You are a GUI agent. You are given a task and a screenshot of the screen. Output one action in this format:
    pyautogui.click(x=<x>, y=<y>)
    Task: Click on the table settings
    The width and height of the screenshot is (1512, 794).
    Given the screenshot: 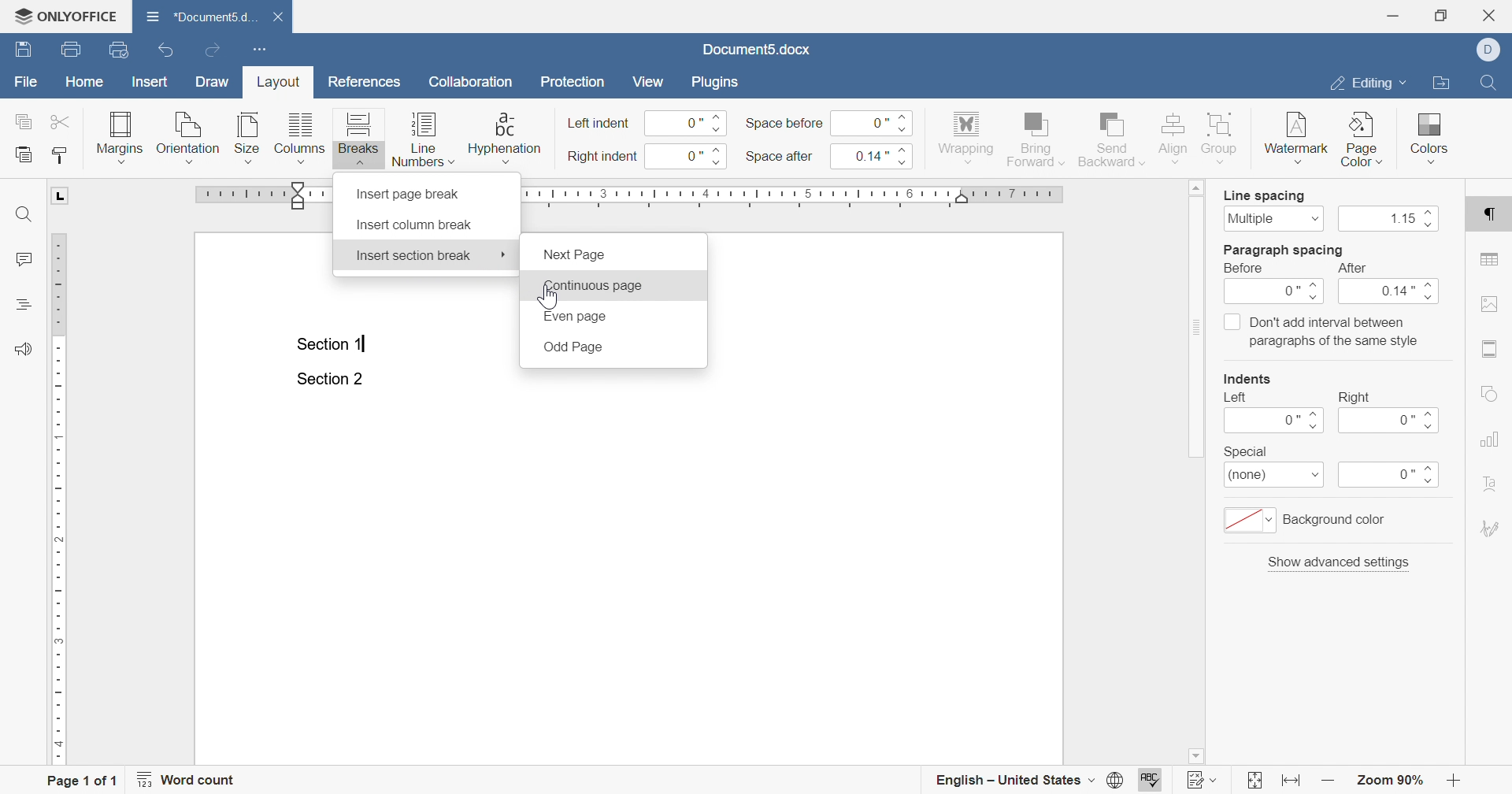 What is the action you would take?
    pyautogui.click(x=1491, y=259)
    